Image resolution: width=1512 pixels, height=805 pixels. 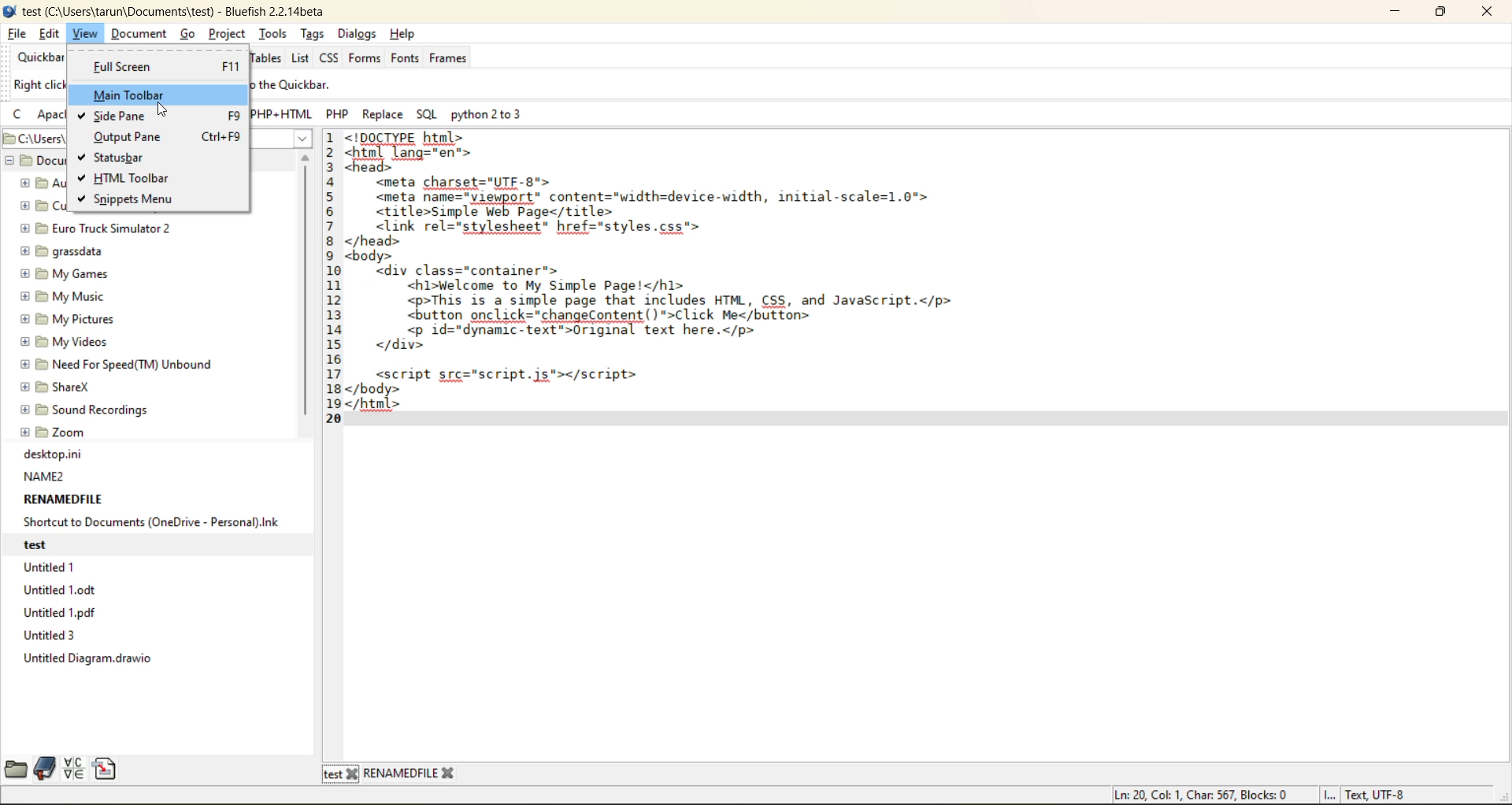 I want to click on edit, so click(x=51, y=35).